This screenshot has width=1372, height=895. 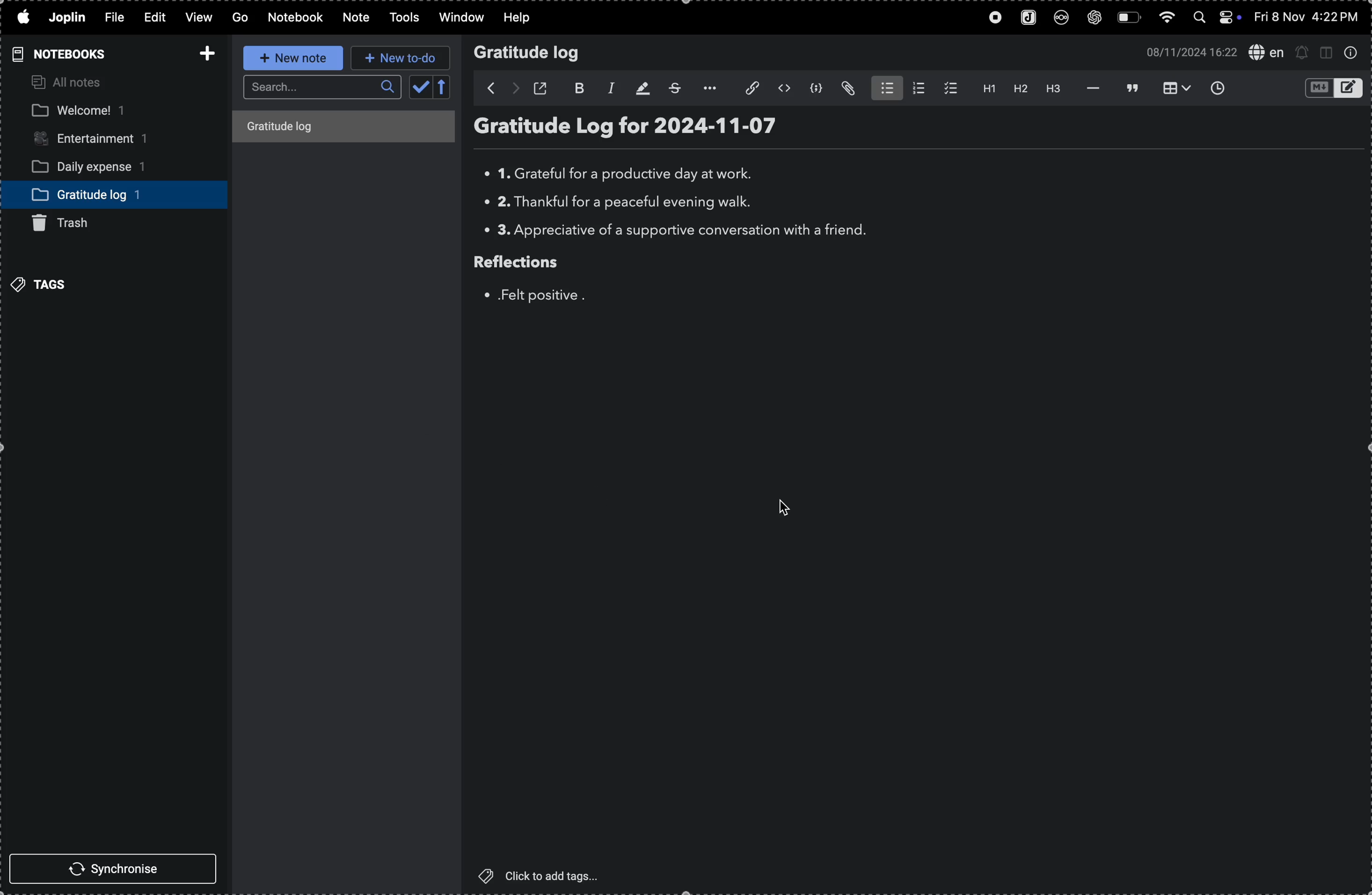 I want to click on tools, so click(x=408, y=17).